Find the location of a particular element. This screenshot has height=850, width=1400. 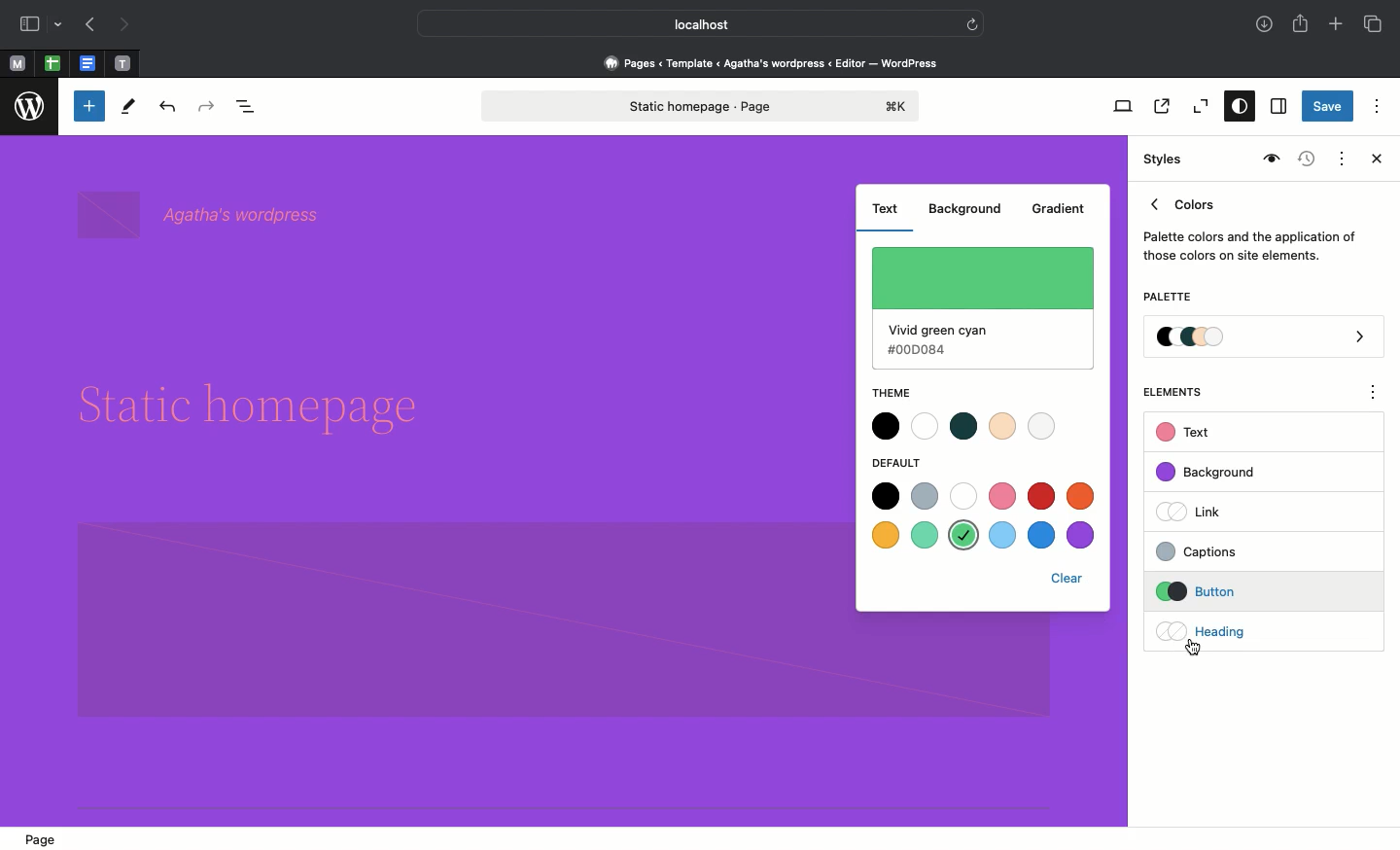

Tools is located at coordinates (129, 111).